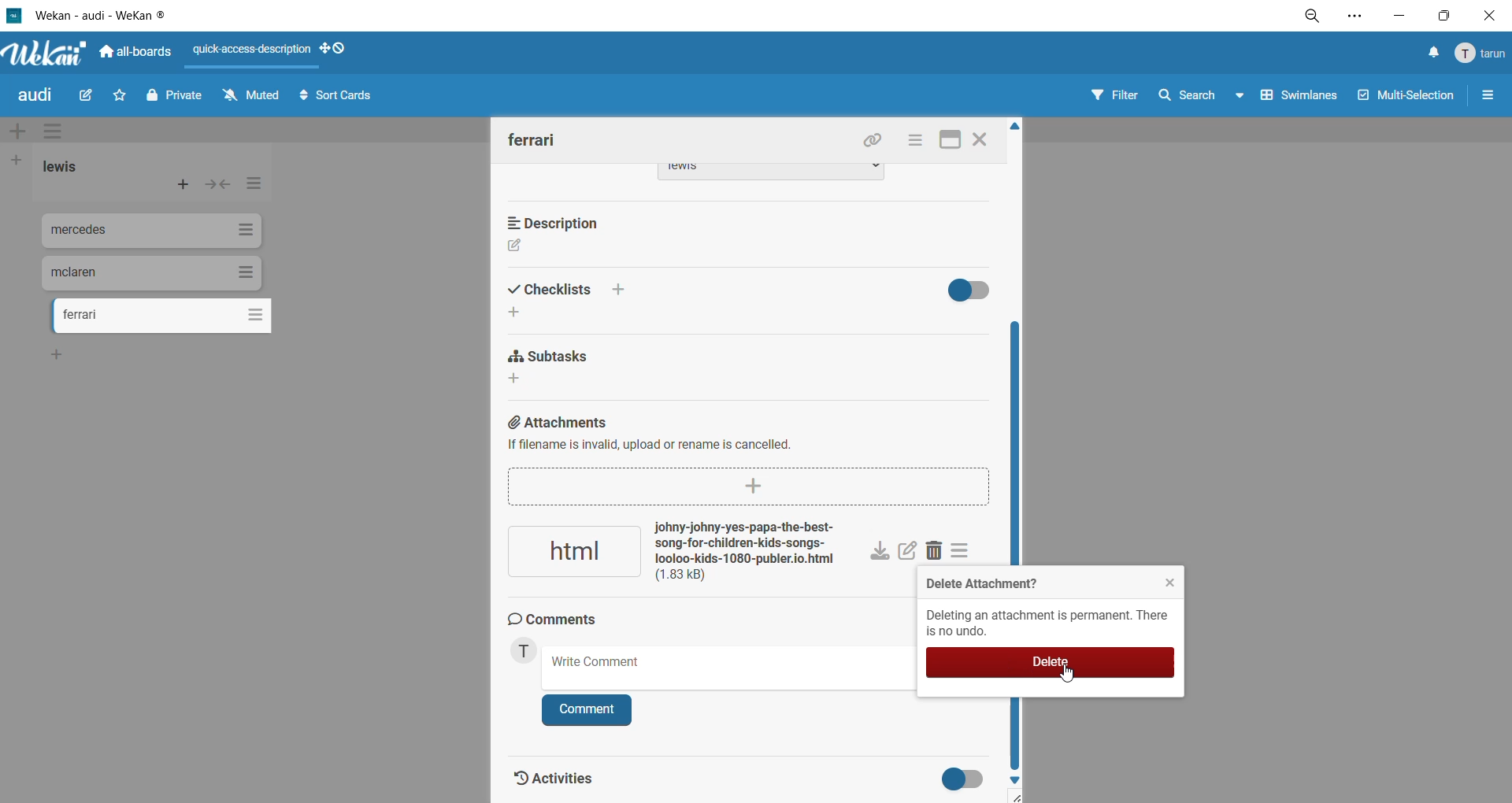 The width and height of the screenshot is (1512, 803). Describe the element at coordinates (914, 142) in the screenshot. I see `card actions` at that location.